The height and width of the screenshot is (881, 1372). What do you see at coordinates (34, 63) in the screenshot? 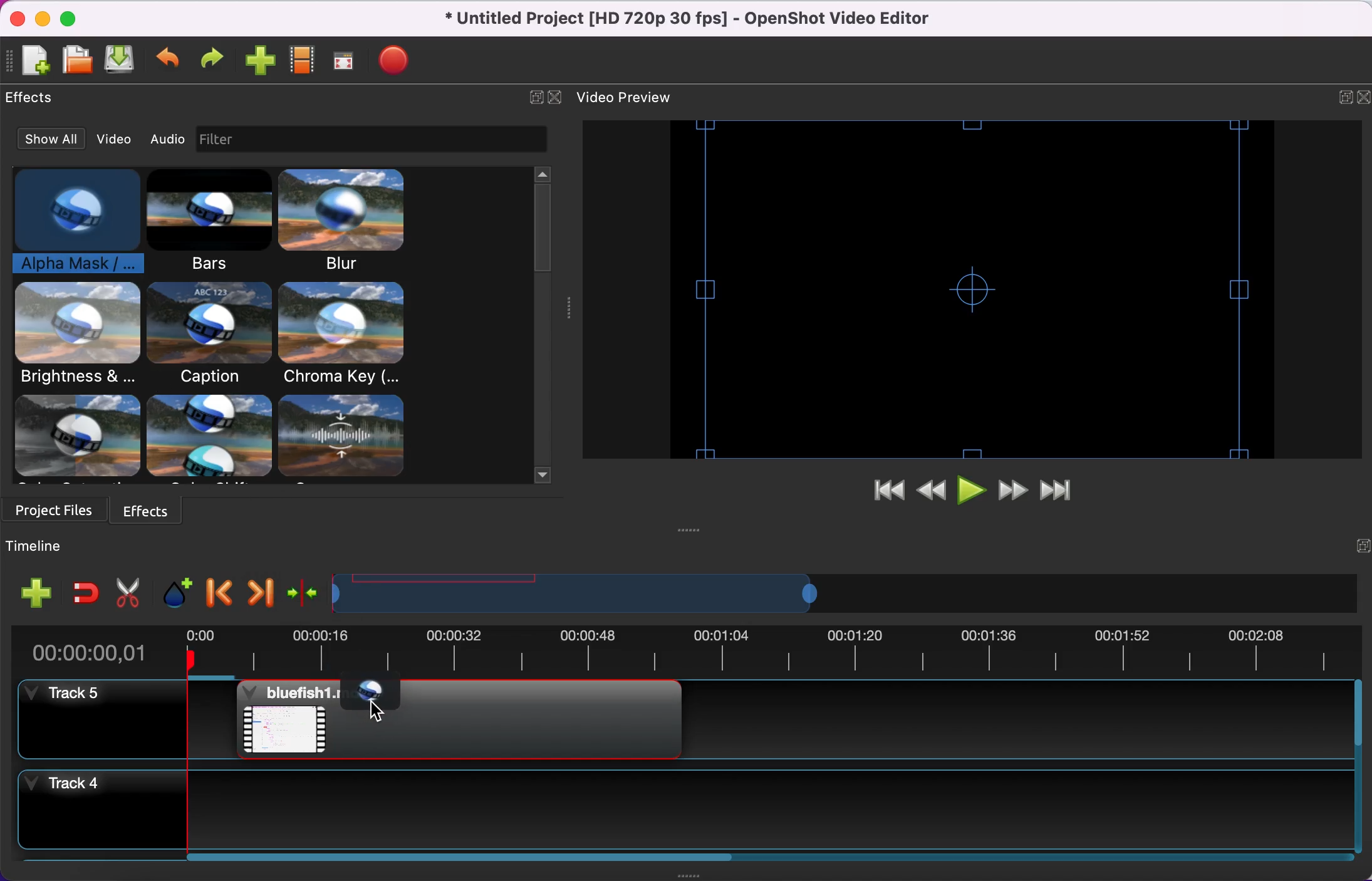
I see `add new file` at bounding box center [34, 63].